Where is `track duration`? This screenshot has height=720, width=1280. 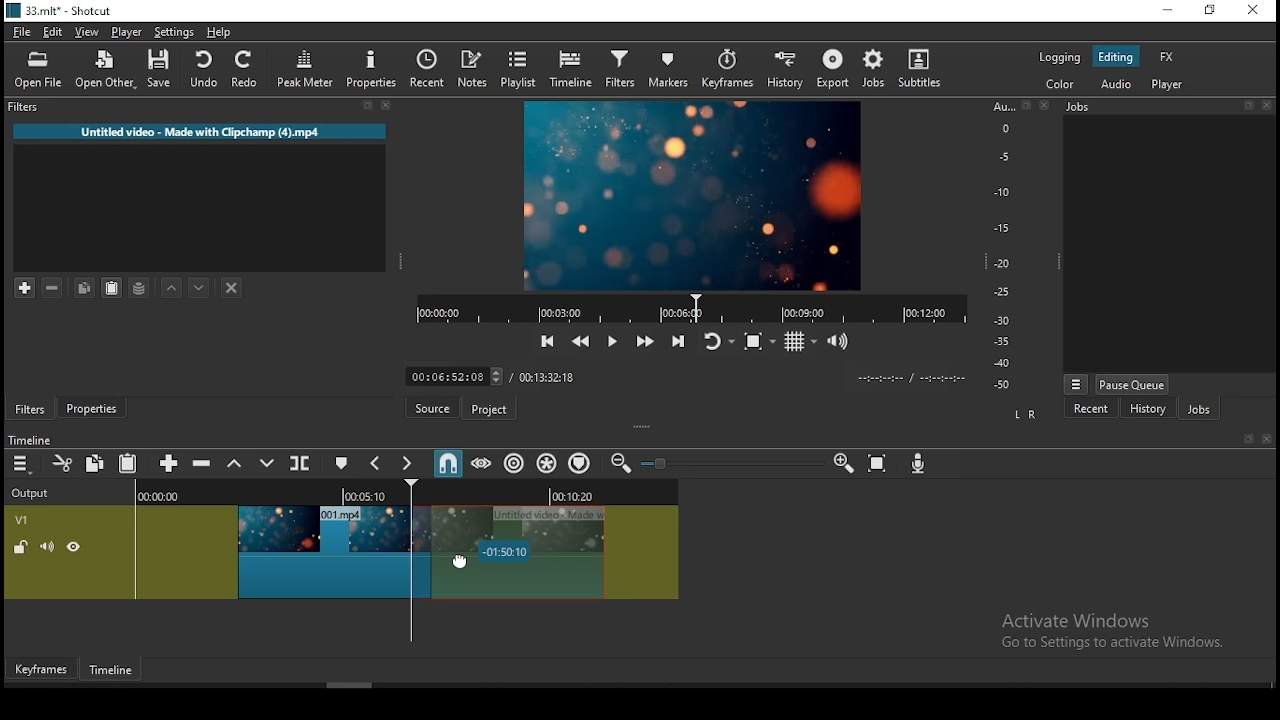
track duration is located at coordinates (550, 376).